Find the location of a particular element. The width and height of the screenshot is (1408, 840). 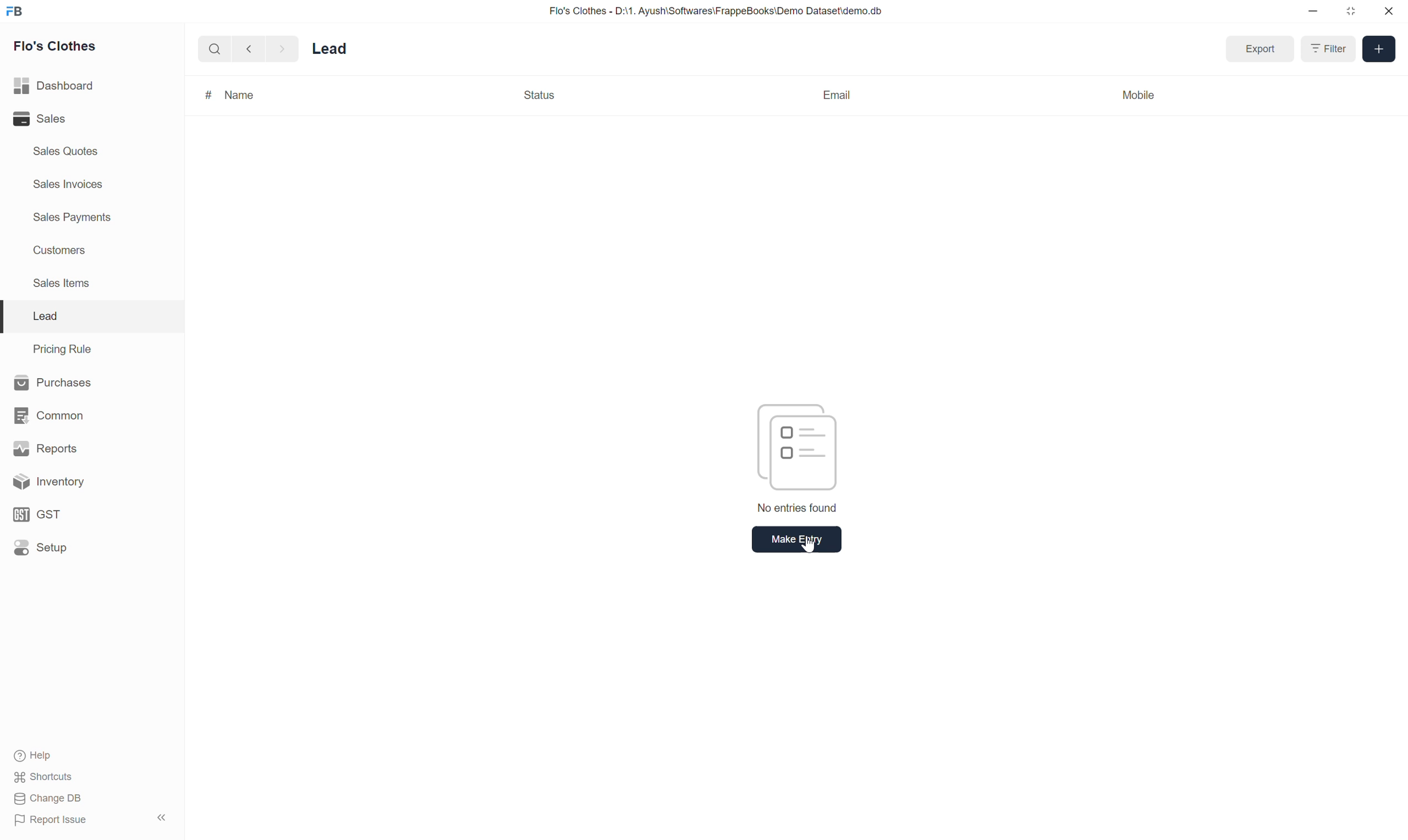

 Common is located at coordinates (48, 415).